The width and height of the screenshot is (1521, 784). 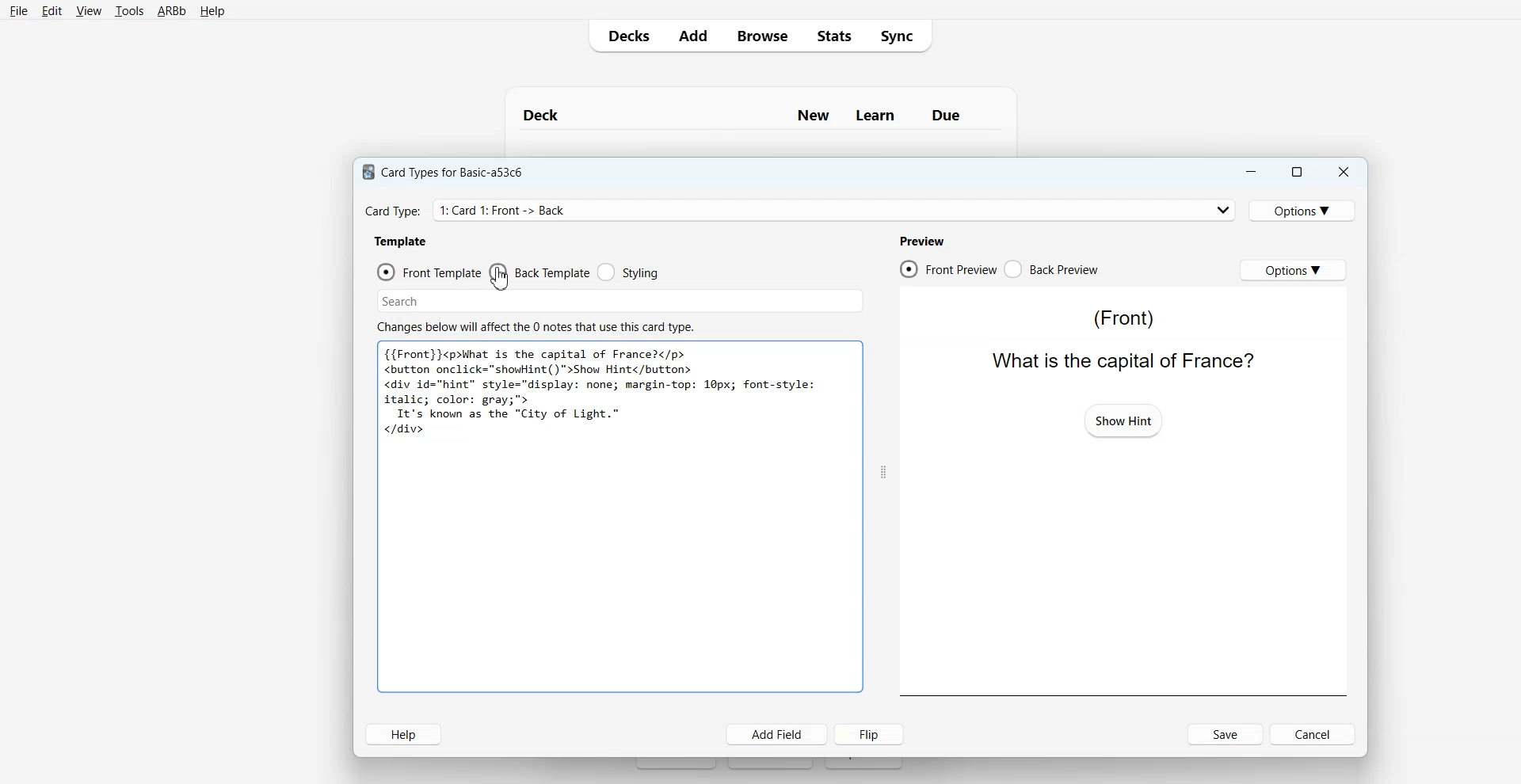 I want to click on {{Front}}<p>hat is the capital of France?</p>
<button onclick="showHint()">Show Hint</button>
<div id="hint" style="display: none; margin-top: 1@px; font-style:
italic; color: gray;">
It's known as the "City of Light.”
</div>, so click(x=603, y=390).